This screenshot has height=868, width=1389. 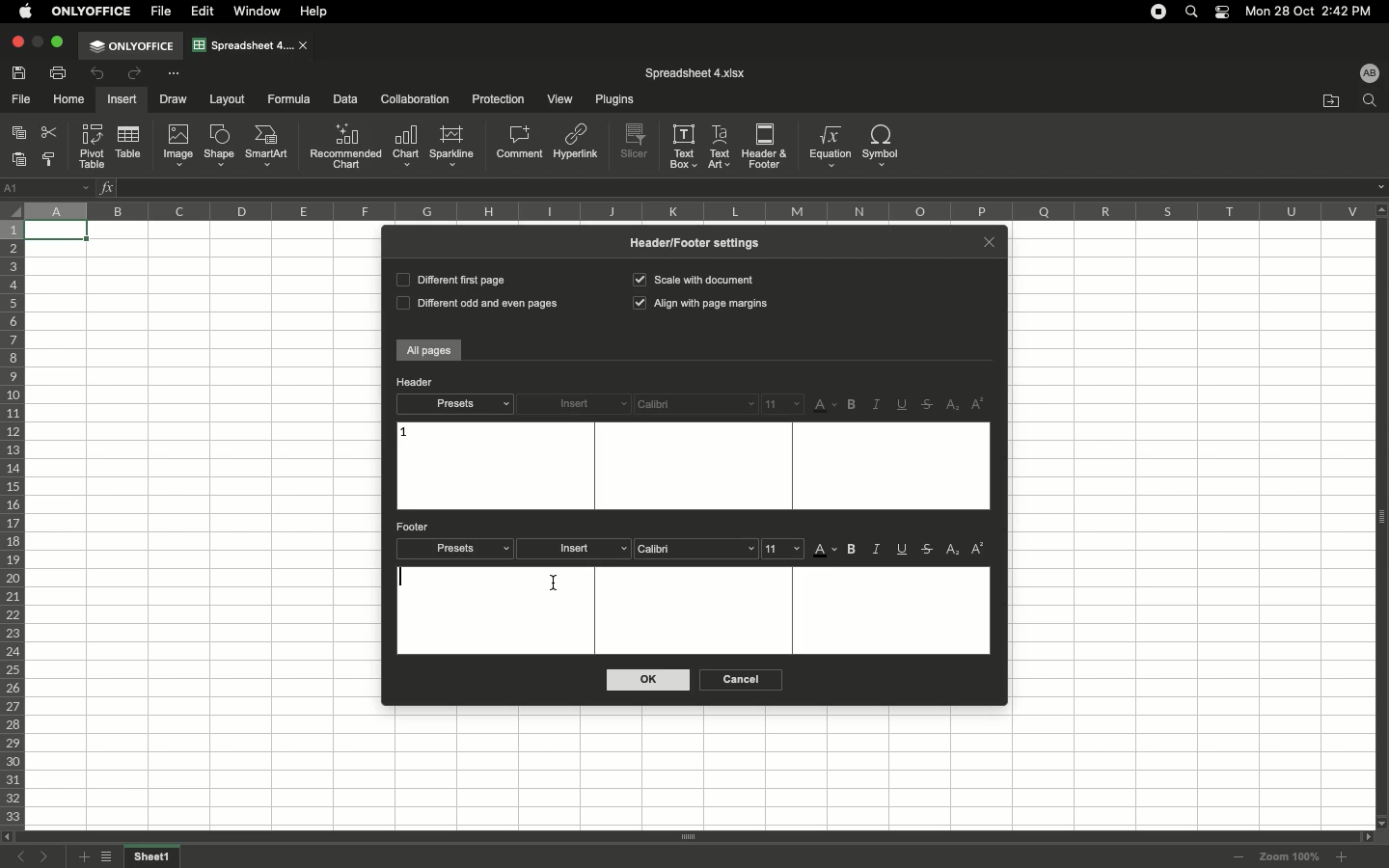 What do you see at coordinates (25, 858) in the screenshot?
I see `Previous sheet` at bounding box center [25, 858].